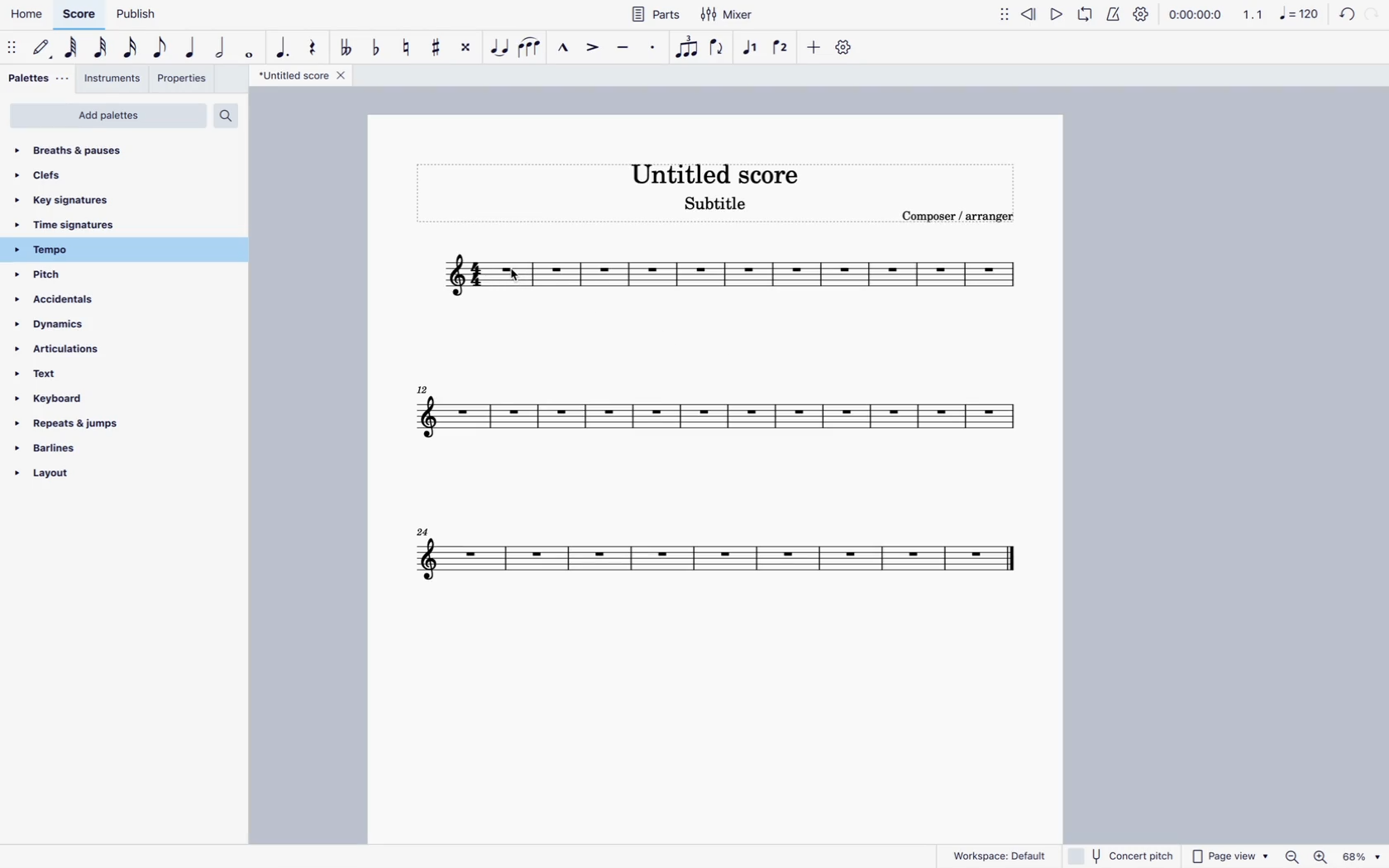 The width and height of the screenshot is (1389, 868). What do you see at coordinates (530, 45) in the screenshot?
I see `slur` at bounding box center [530, 45].